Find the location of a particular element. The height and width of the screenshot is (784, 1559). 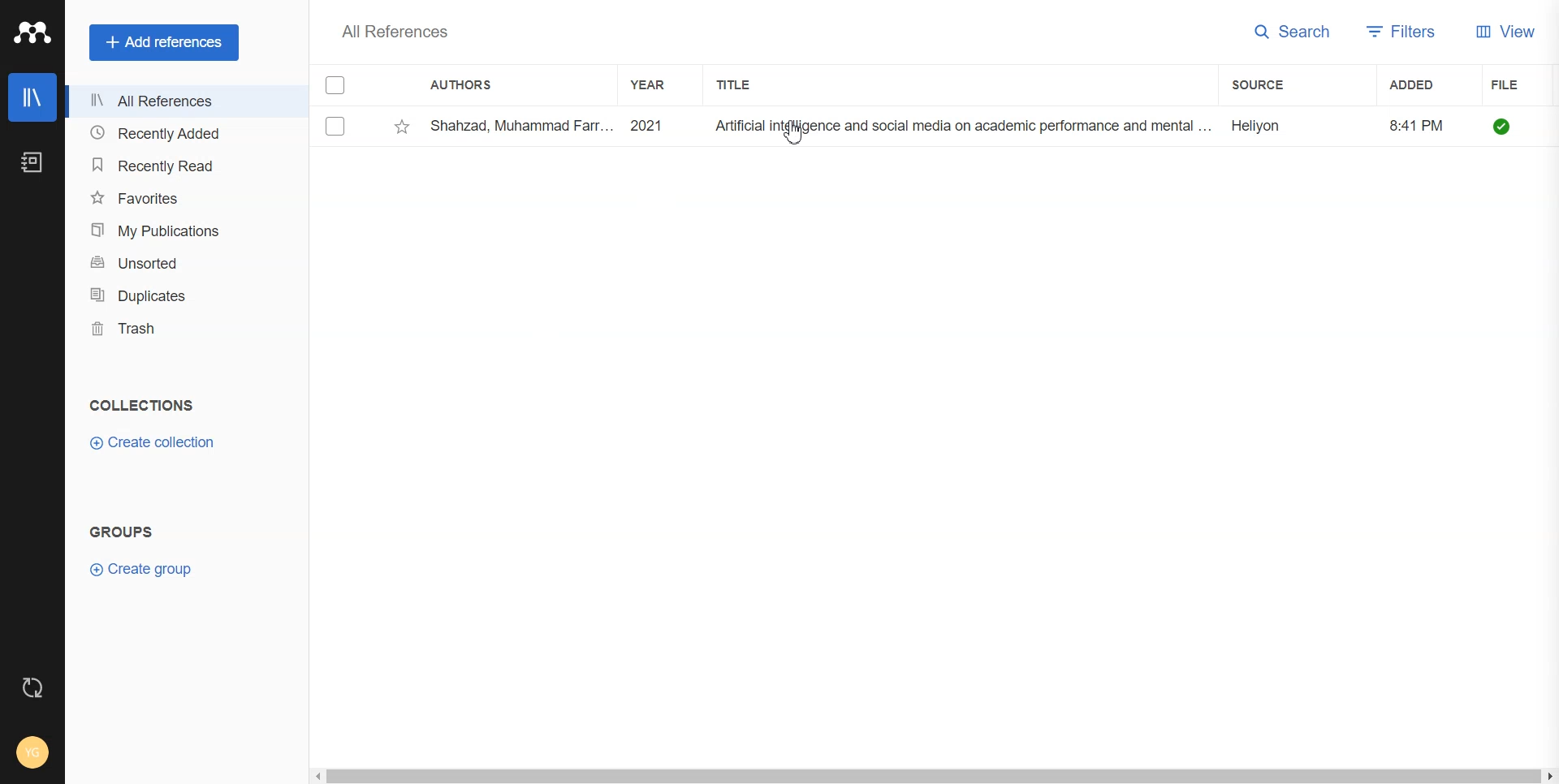

Library is located at coordinates (33, 97).